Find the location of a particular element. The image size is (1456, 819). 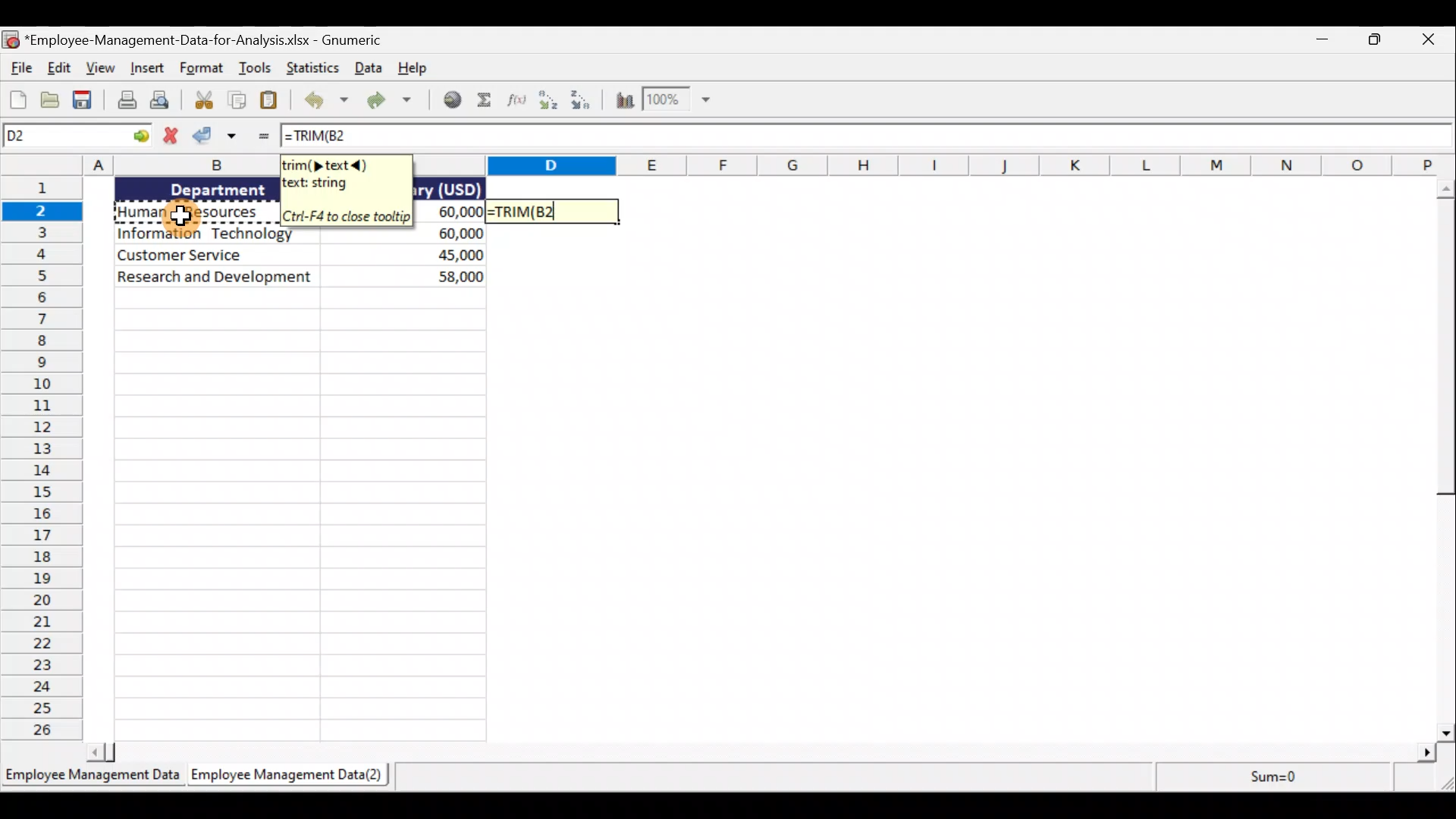

Print preview is located at coordinates (162, 100).